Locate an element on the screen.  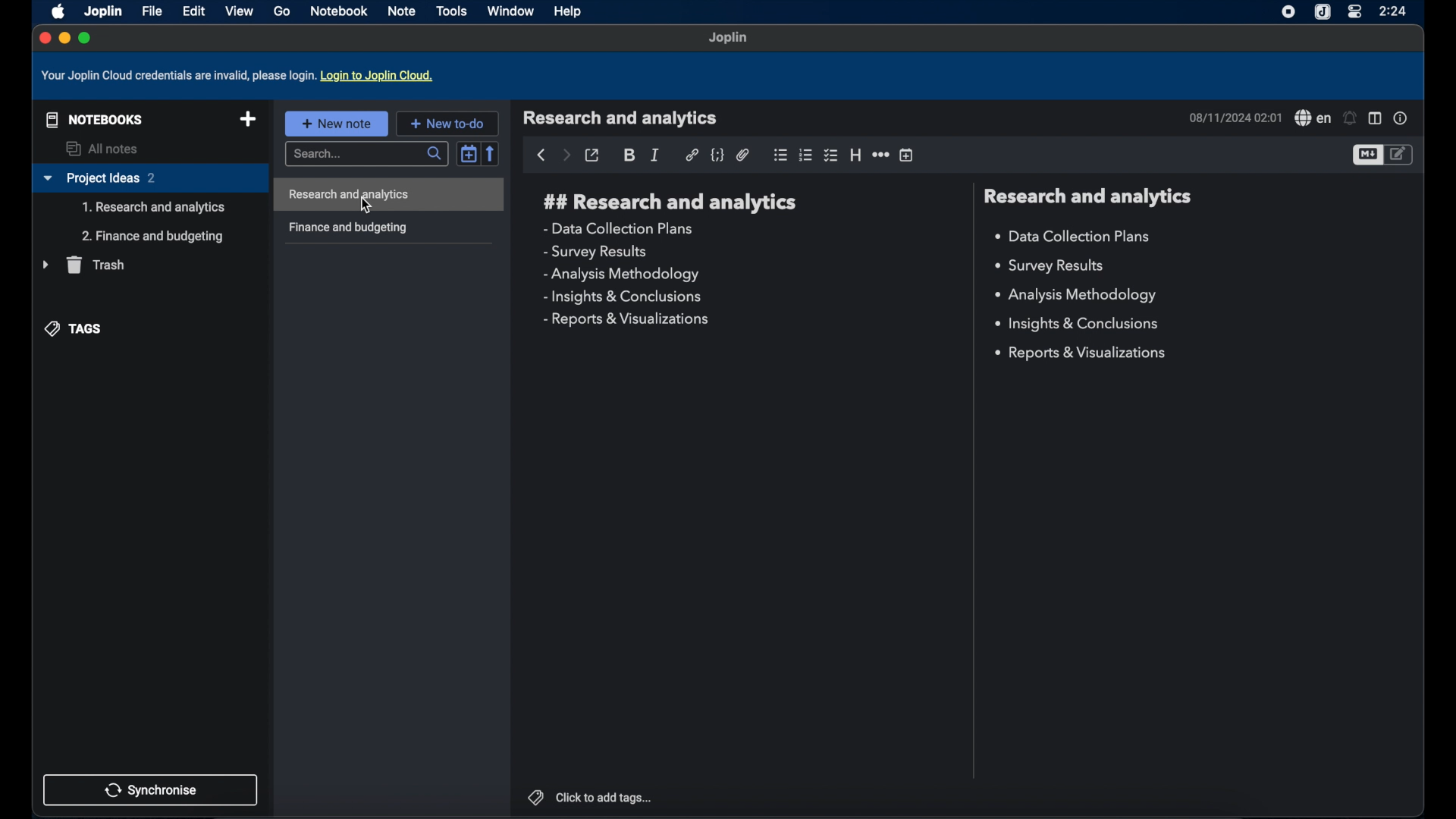
back is located at coordinates (541, 155).